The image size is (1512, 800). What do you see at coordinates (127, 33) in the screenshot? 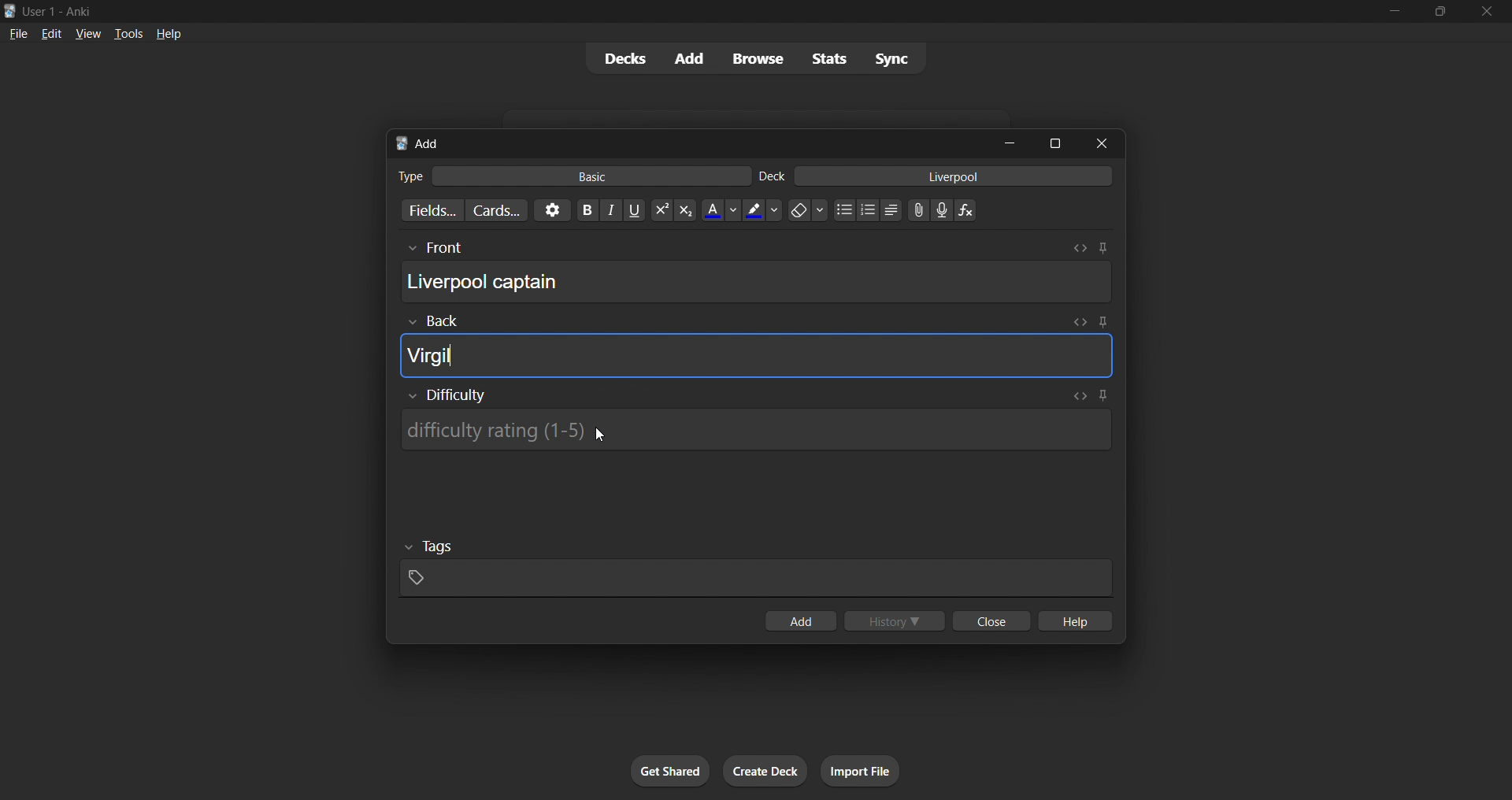
I see `tools` at bounding box center [127, 33].